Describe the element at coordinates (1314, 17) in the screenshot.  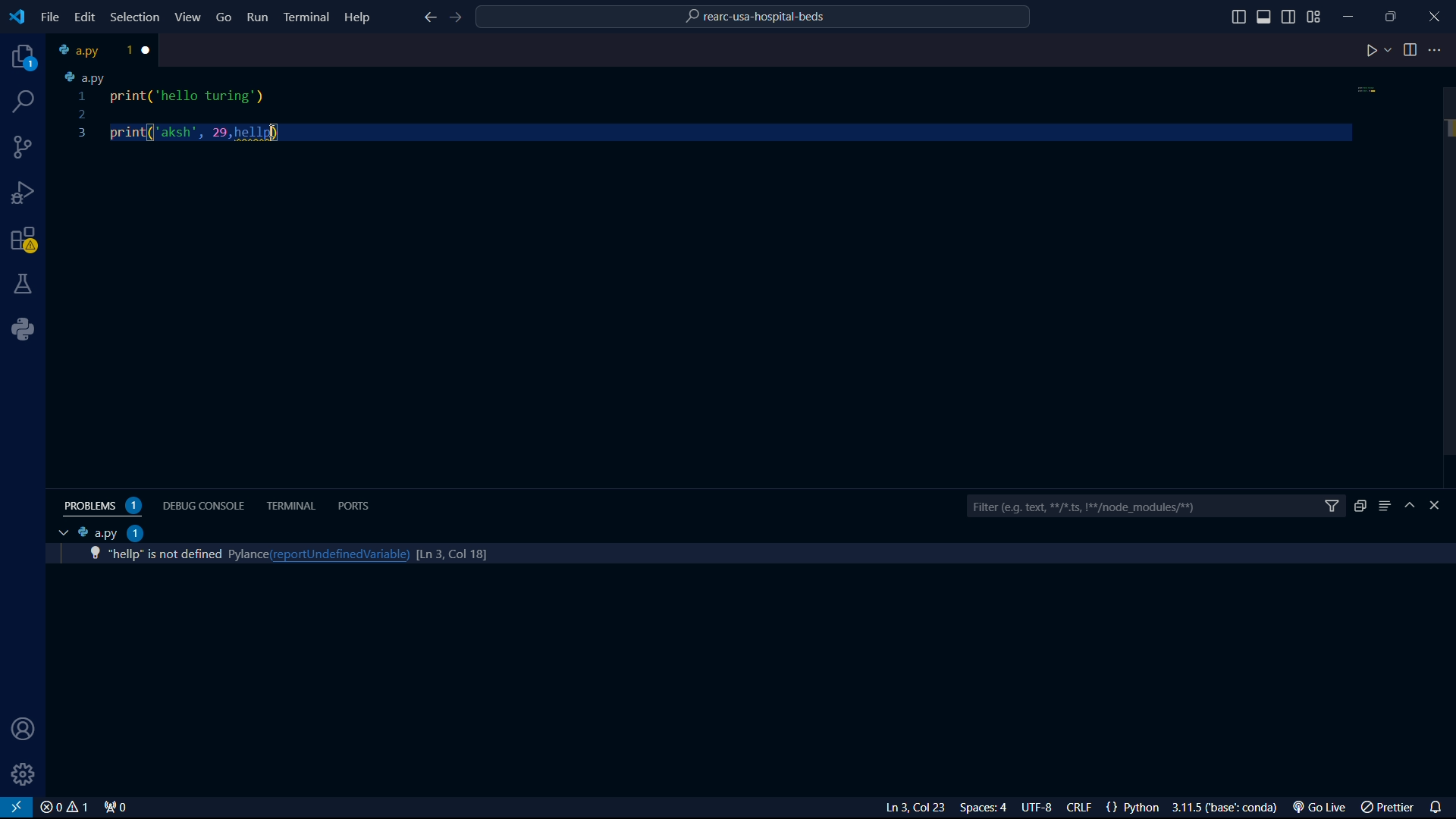
I see `grid view` at that location.